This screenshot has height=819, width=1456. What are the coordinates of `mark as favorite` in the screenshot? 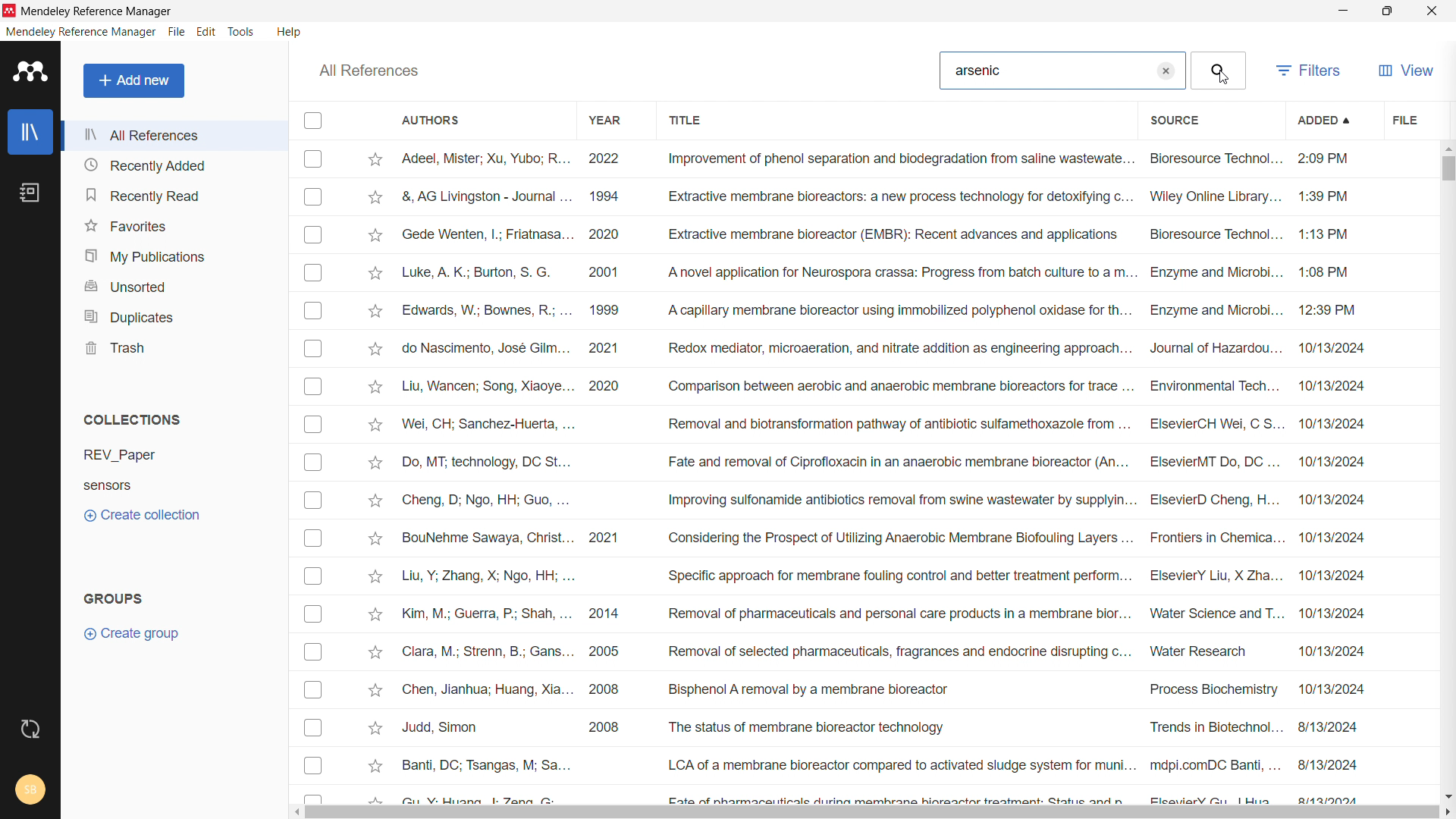 It's located at (376, 159).